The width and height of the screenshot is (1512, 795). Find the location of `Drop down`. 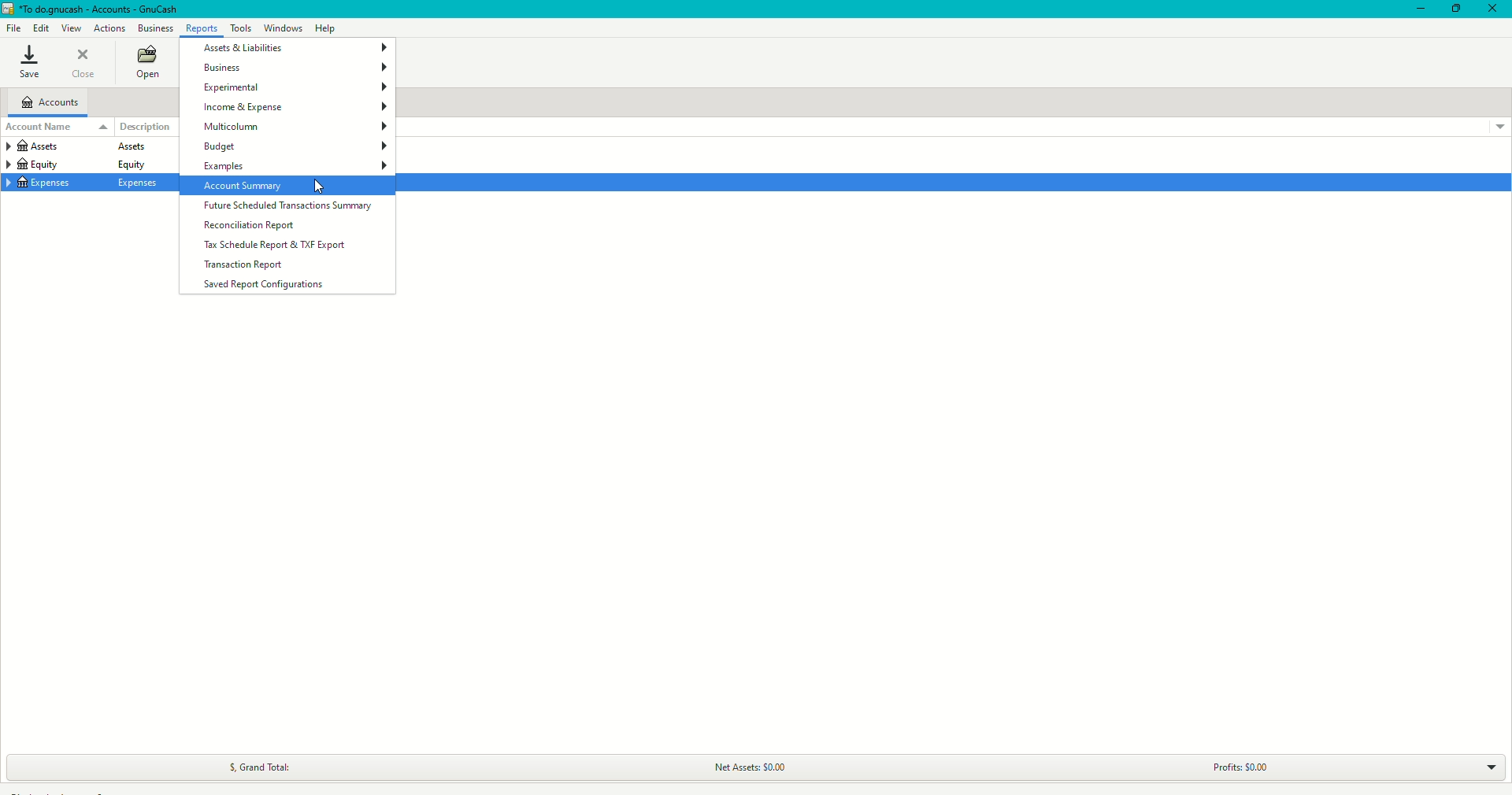

Drop down is located at coordinates (1489, 766).